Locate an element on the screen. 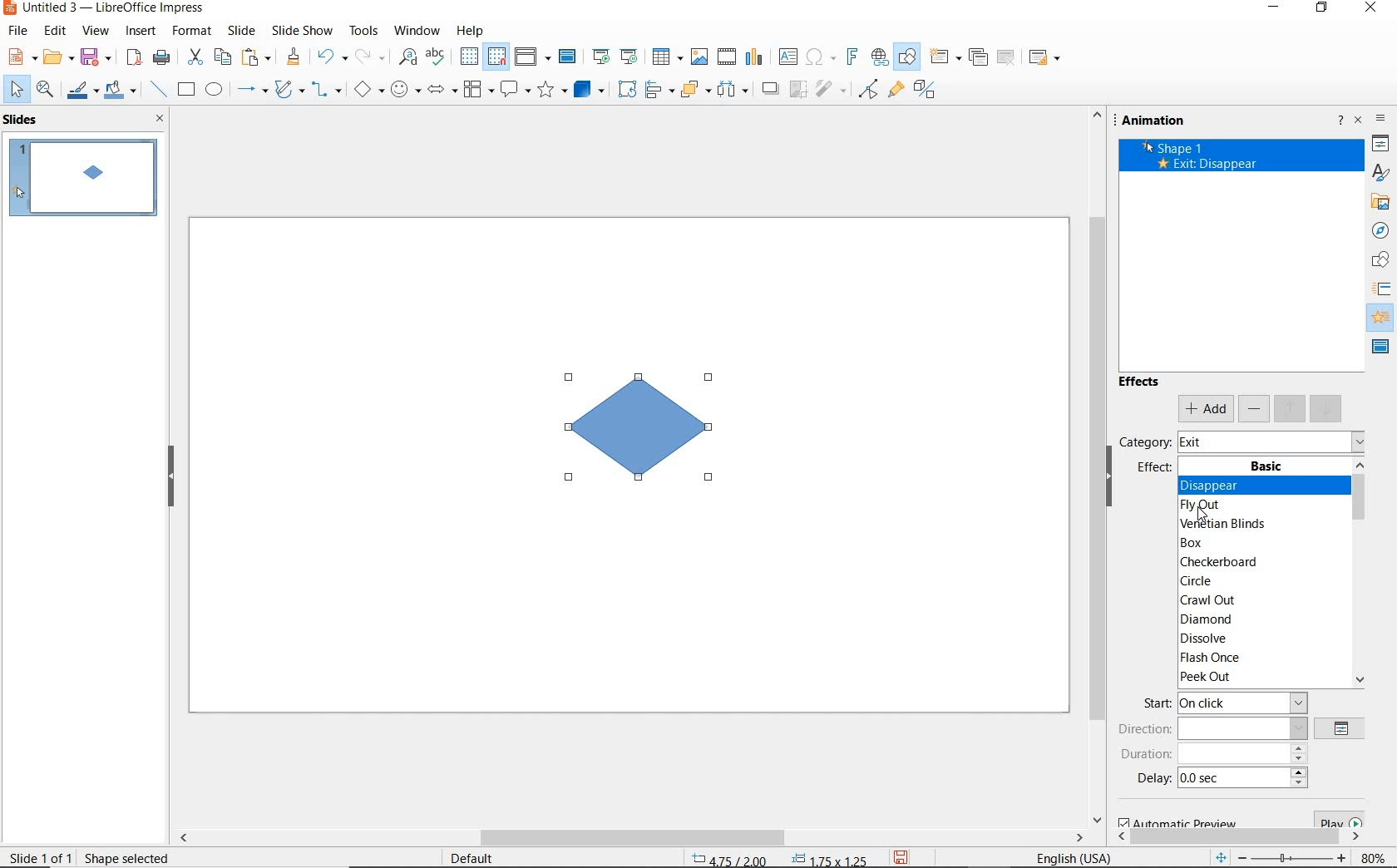  slides is located at coordinates (22, 120).